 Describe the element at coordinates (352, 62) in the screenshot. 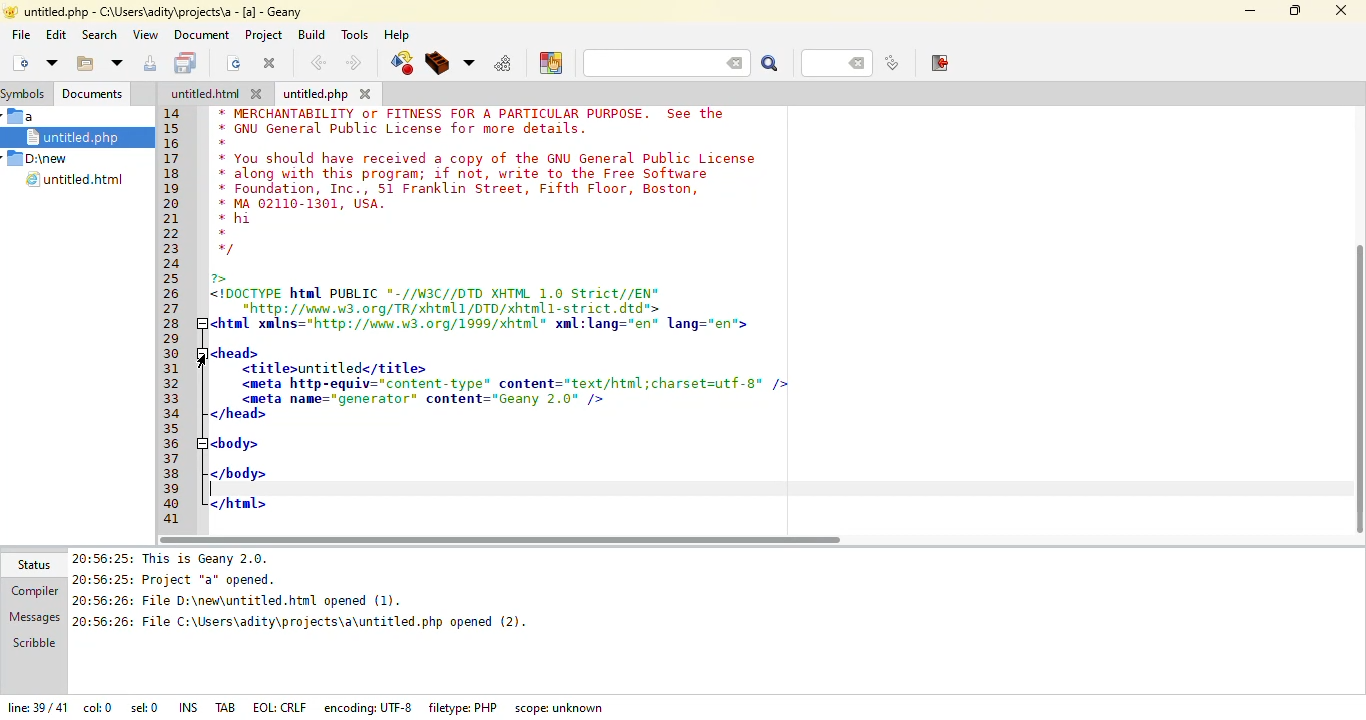

I see `next` at that location.